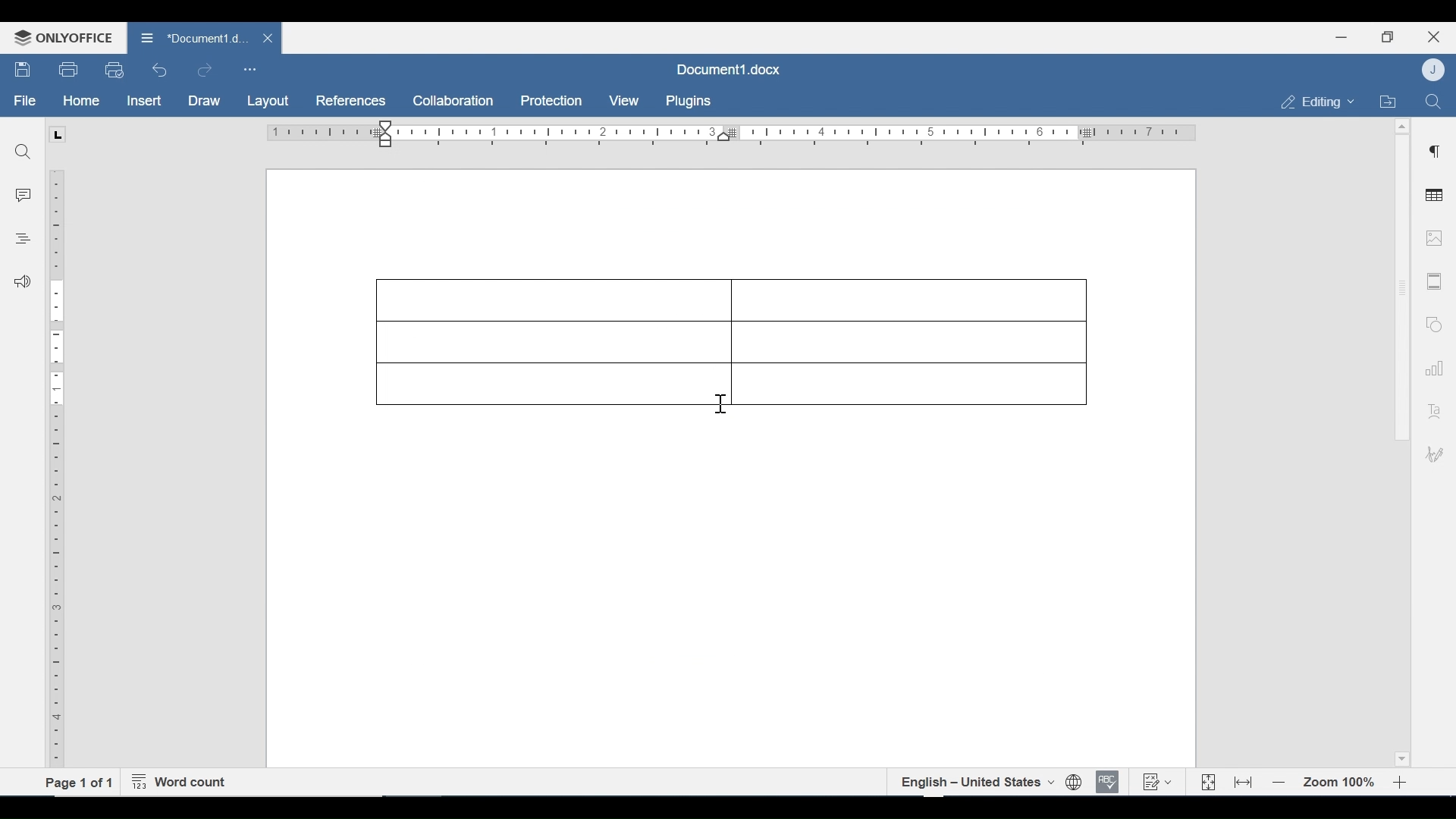 This screenshot has width=1456, height=819. What do you see at coordinates (1207, 783) in the screenshot?
I see `Fit to Page` at bounding box center [1207, 783].